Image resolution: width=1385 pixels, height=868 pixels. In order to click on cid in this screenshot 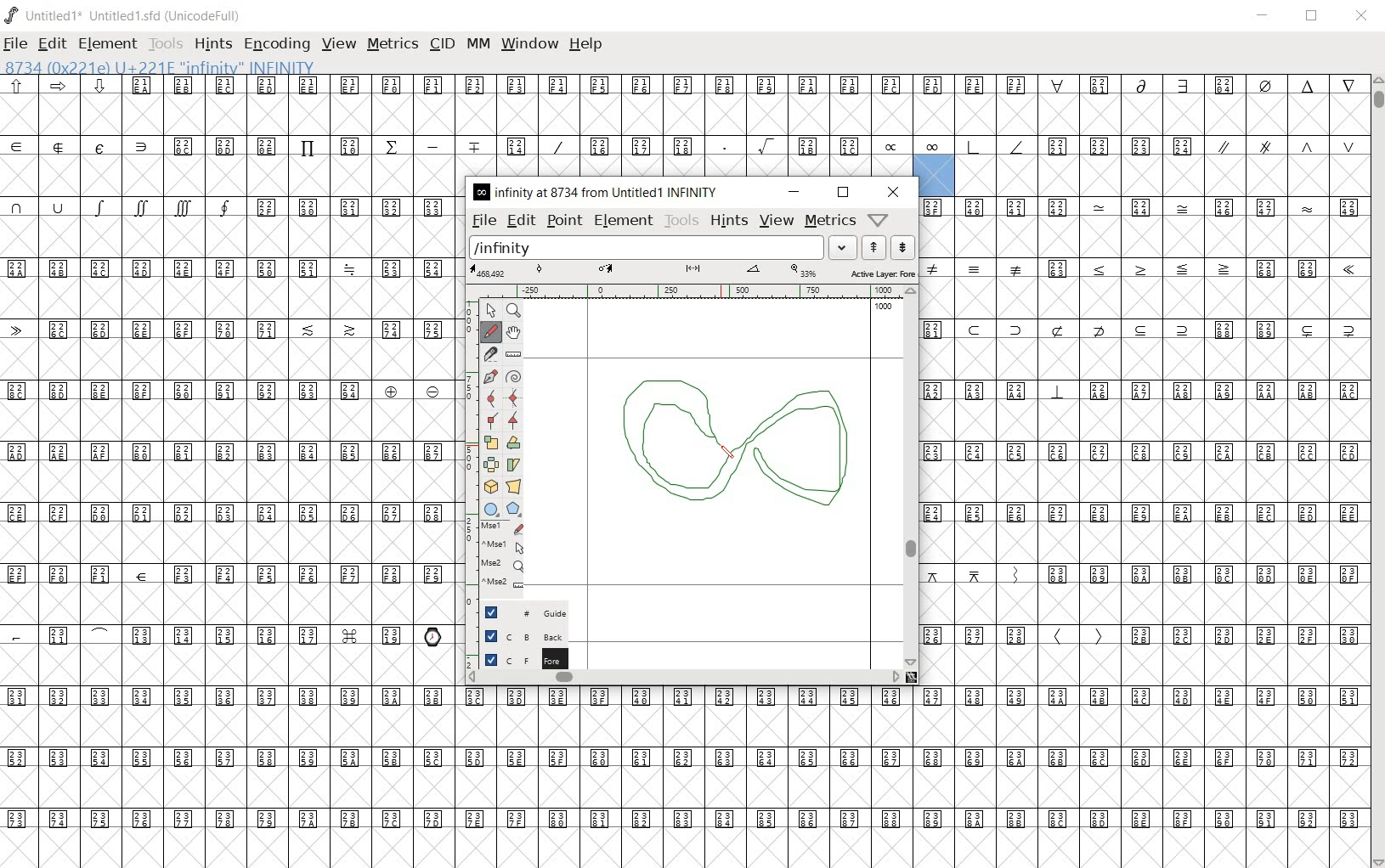, I will do `click(442, 45)`.